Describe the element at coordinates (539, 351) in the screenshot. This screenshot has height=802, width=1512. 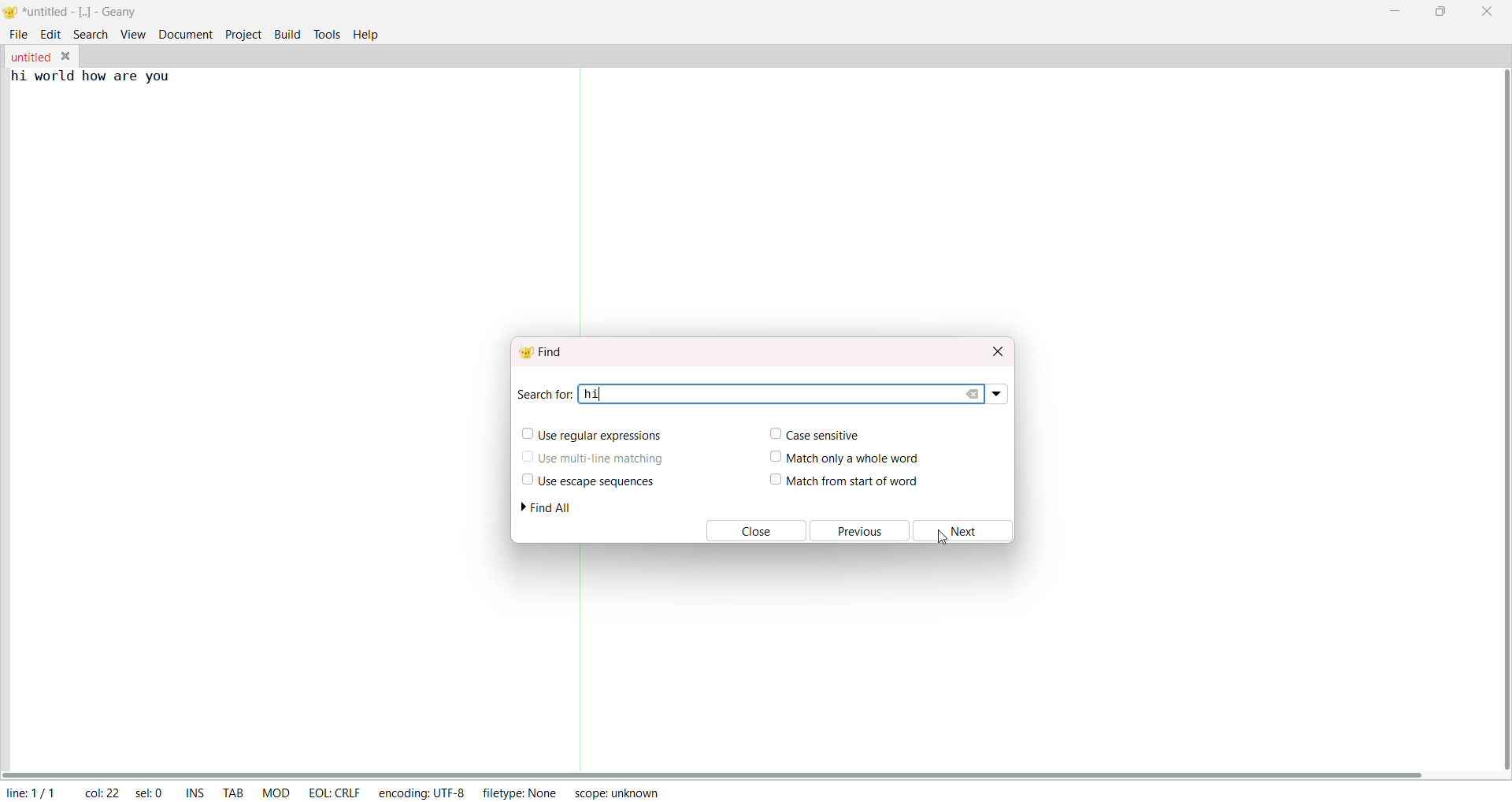
I see `find` at that location.